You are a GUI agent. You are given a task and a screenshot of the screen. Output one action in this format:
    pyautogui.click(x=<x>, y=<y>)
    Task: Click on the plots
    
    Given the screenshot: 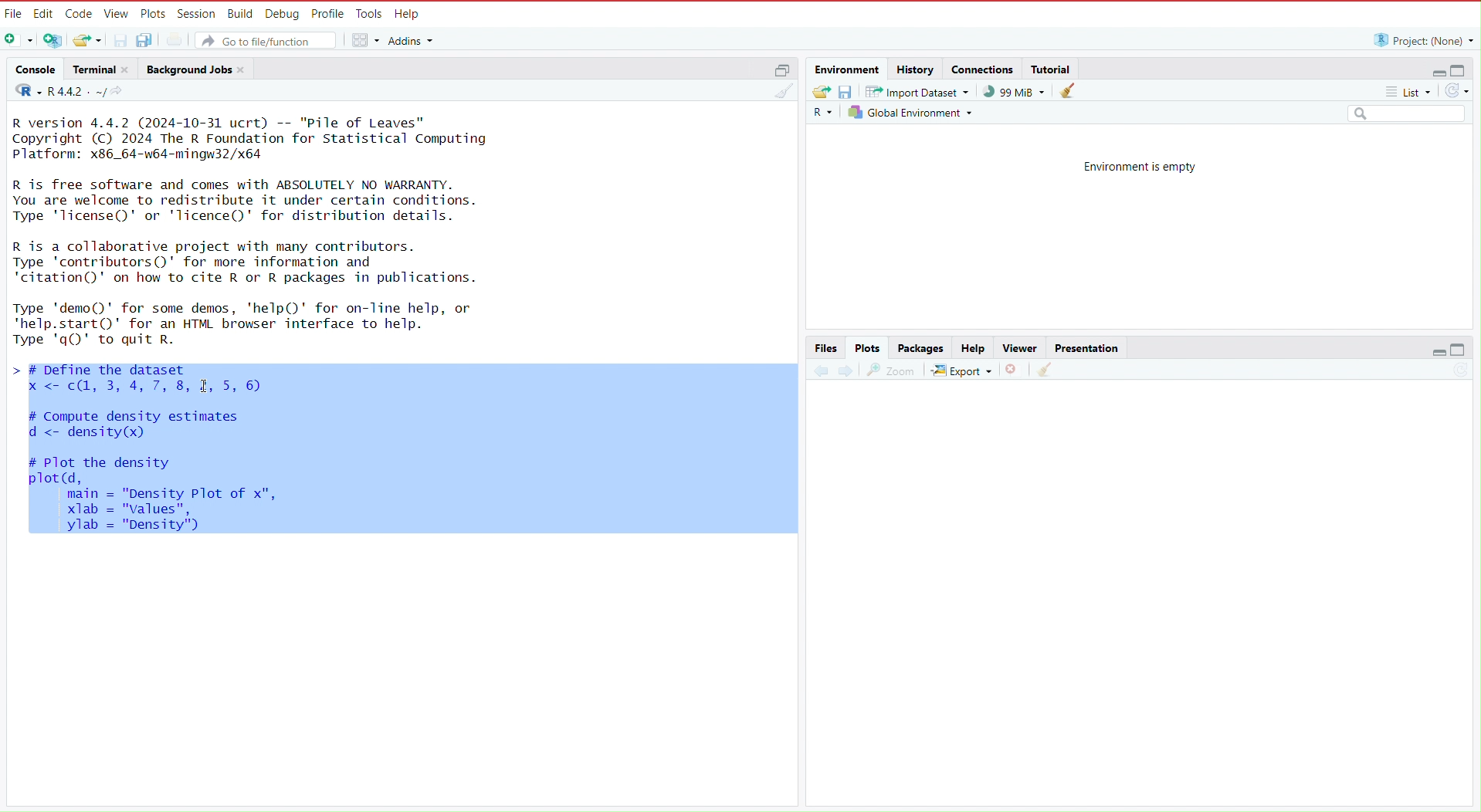 What is the action you would take?
    pyautogui.click(x=154, y=12)
    